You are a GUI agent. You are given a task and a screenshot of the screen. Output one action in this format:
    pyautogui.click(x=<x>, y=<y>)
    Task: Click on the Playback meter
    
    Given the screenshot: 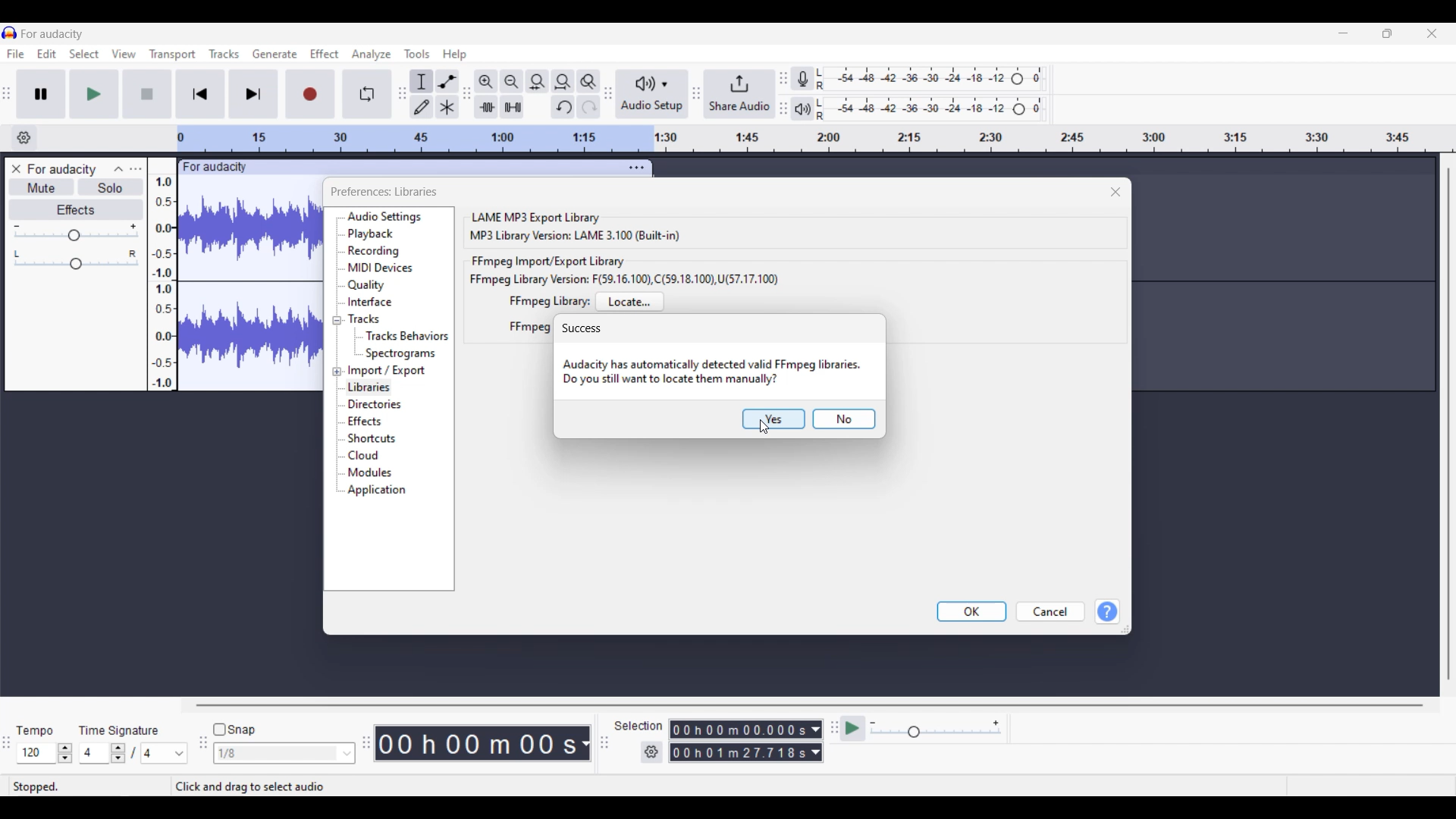 What is the action you would take?
    pyautogui.click(x=803, y=108)
    